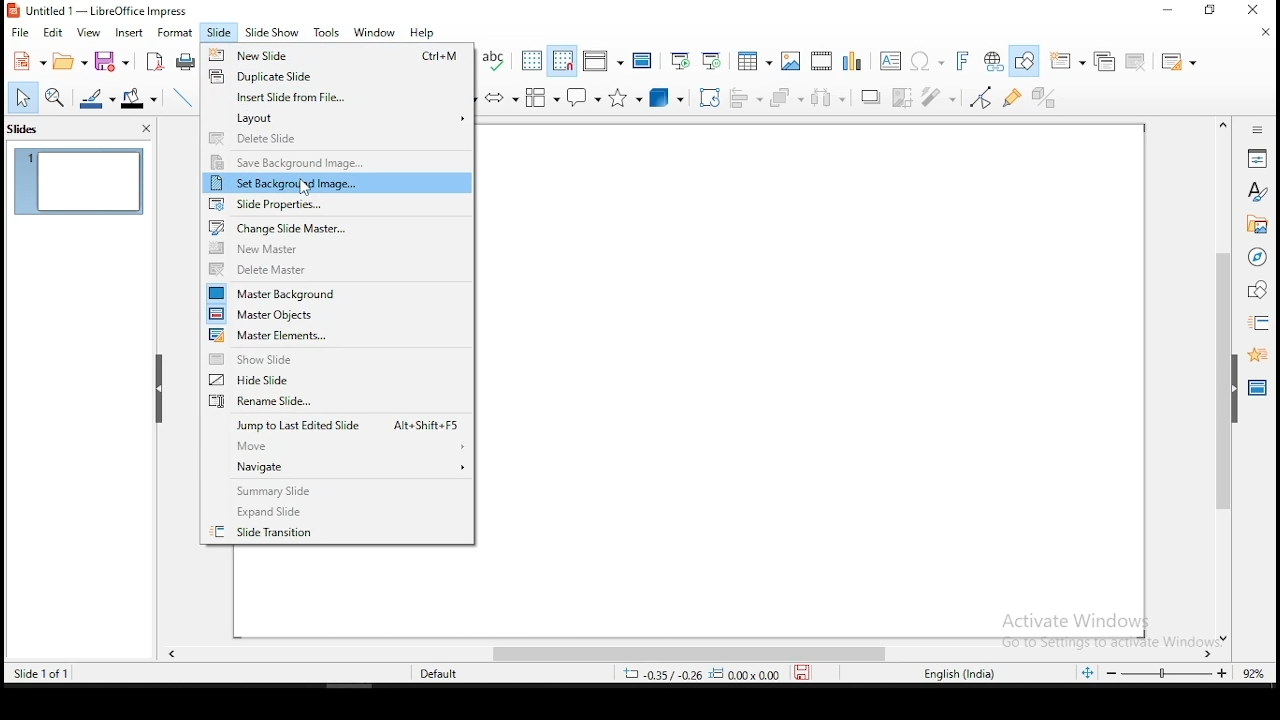  What do you see at coordinates (1258, 290) in the screenshot?
I see `shapes` at bounding box center [1258, 290].